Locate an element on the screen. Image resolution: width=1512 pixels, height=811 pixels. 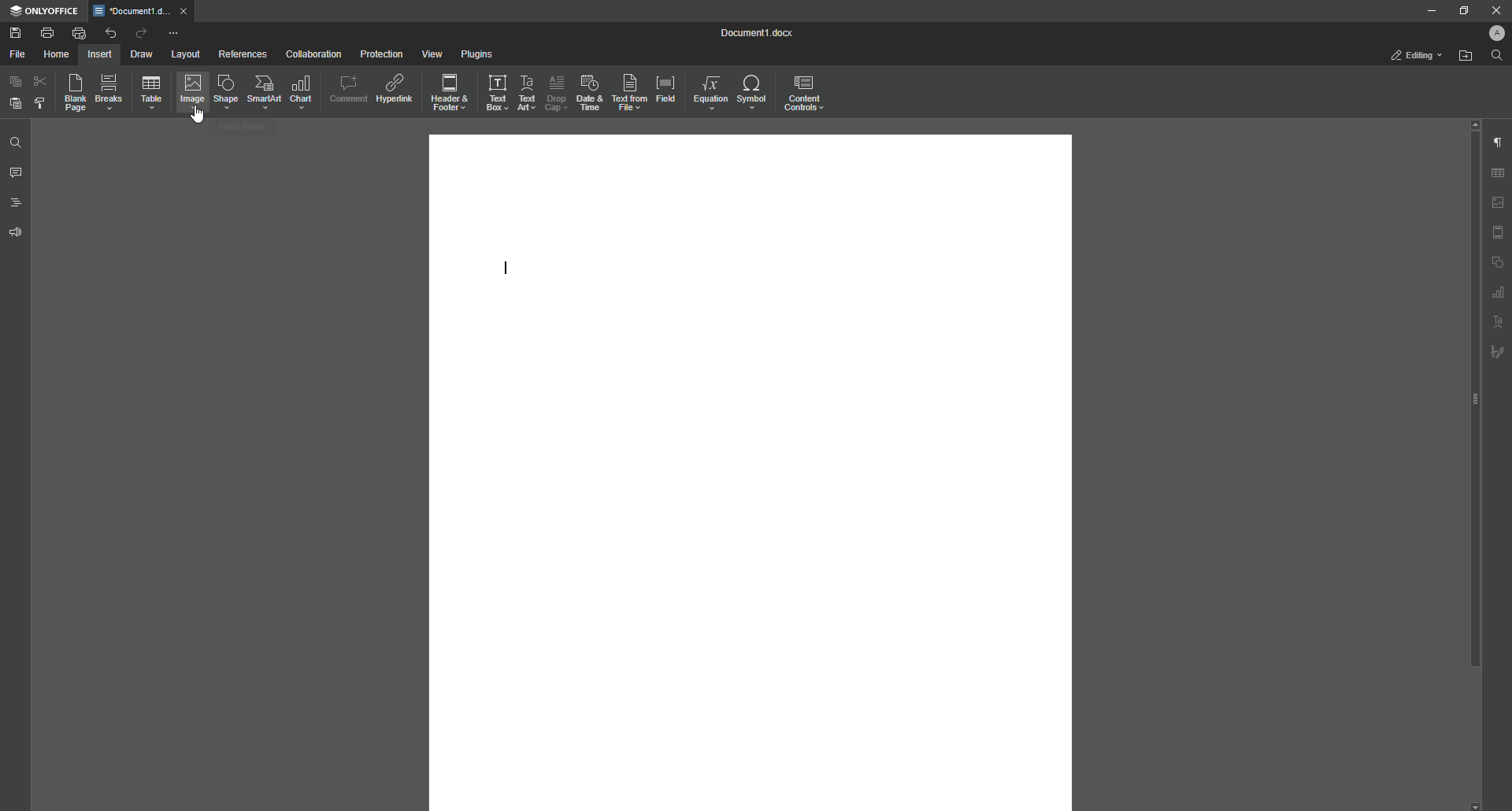
Text Art is located at coordinates (522, 91).